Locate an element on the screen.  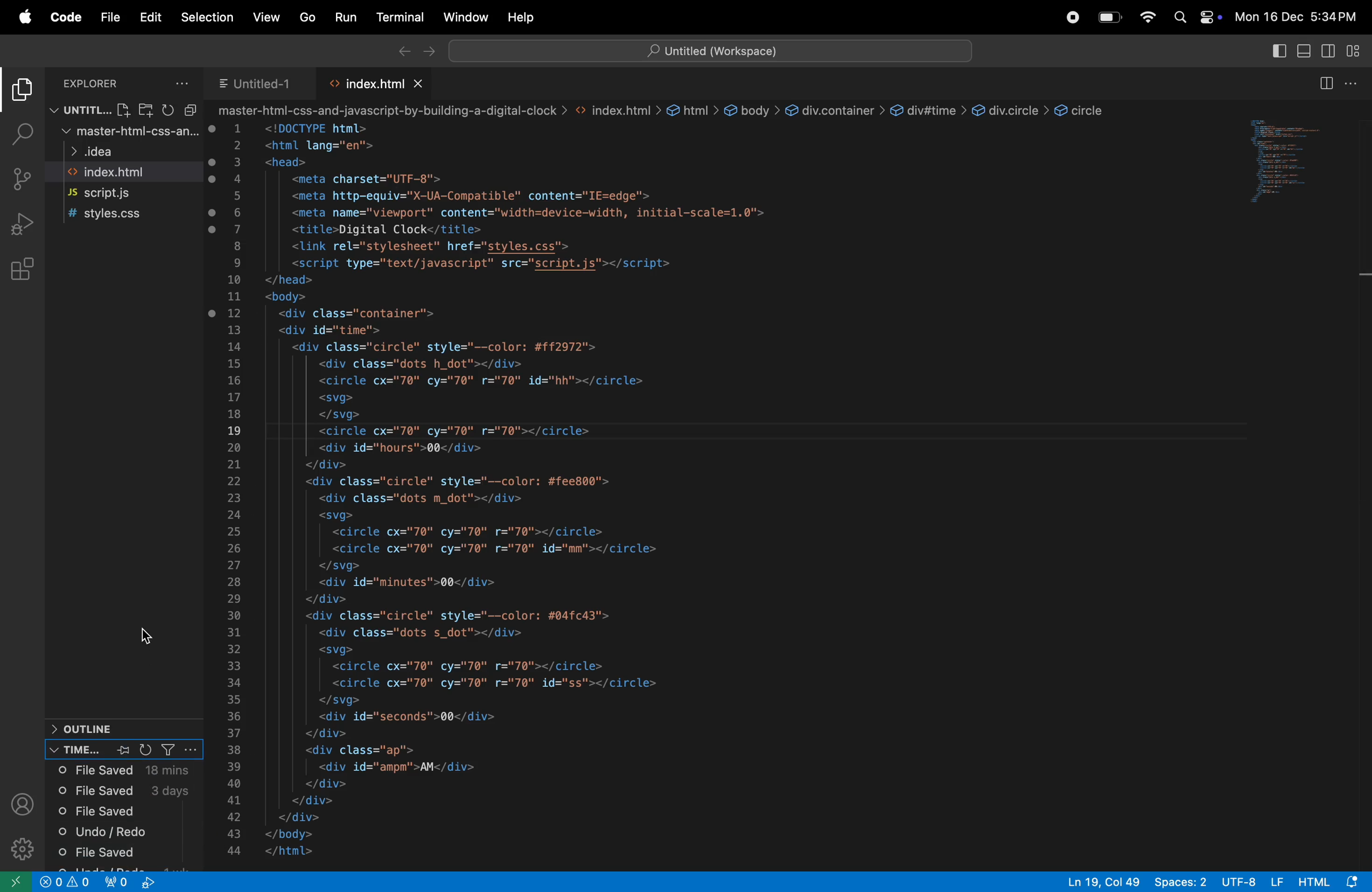
<html lang="en"> is located at coordinates (315, 145).